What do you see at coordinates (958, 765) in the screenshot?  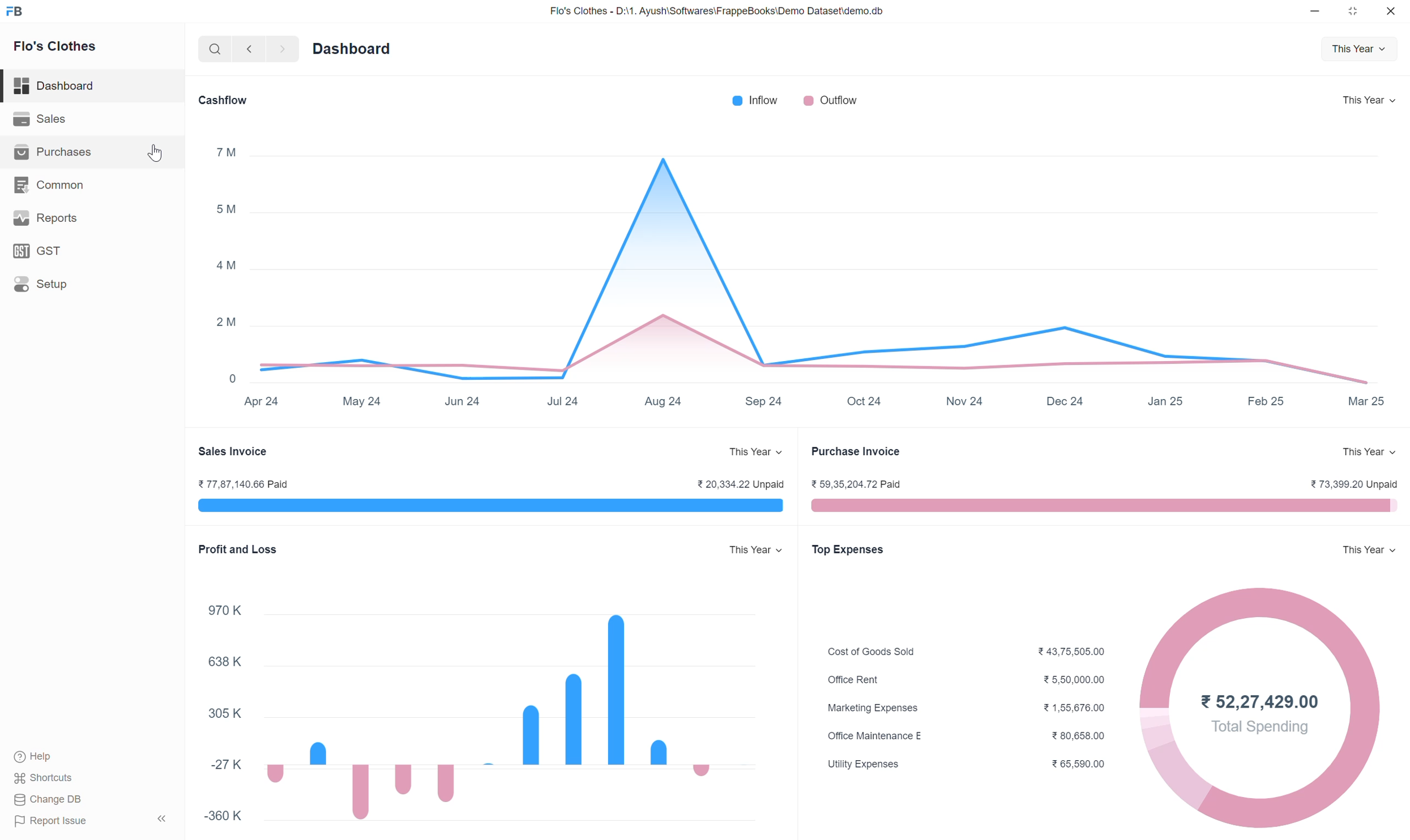 I see `Utility Expenses 65,590.00` at bounding box center [958, 765].